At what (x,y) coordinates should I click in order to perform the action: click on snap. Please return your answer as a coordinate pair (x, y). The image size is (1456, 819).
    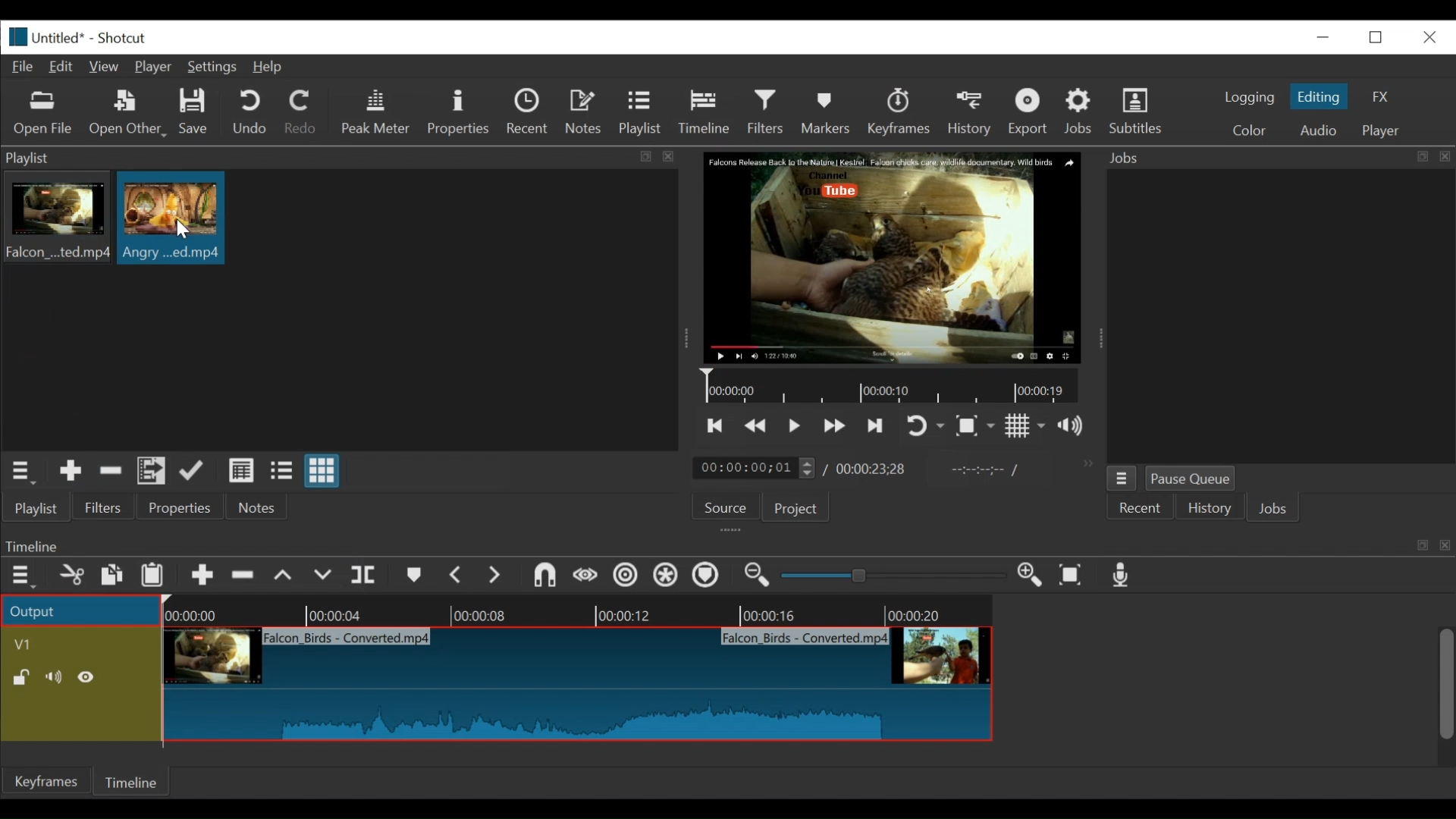
    Looking at the image, I should click on (547, 577).